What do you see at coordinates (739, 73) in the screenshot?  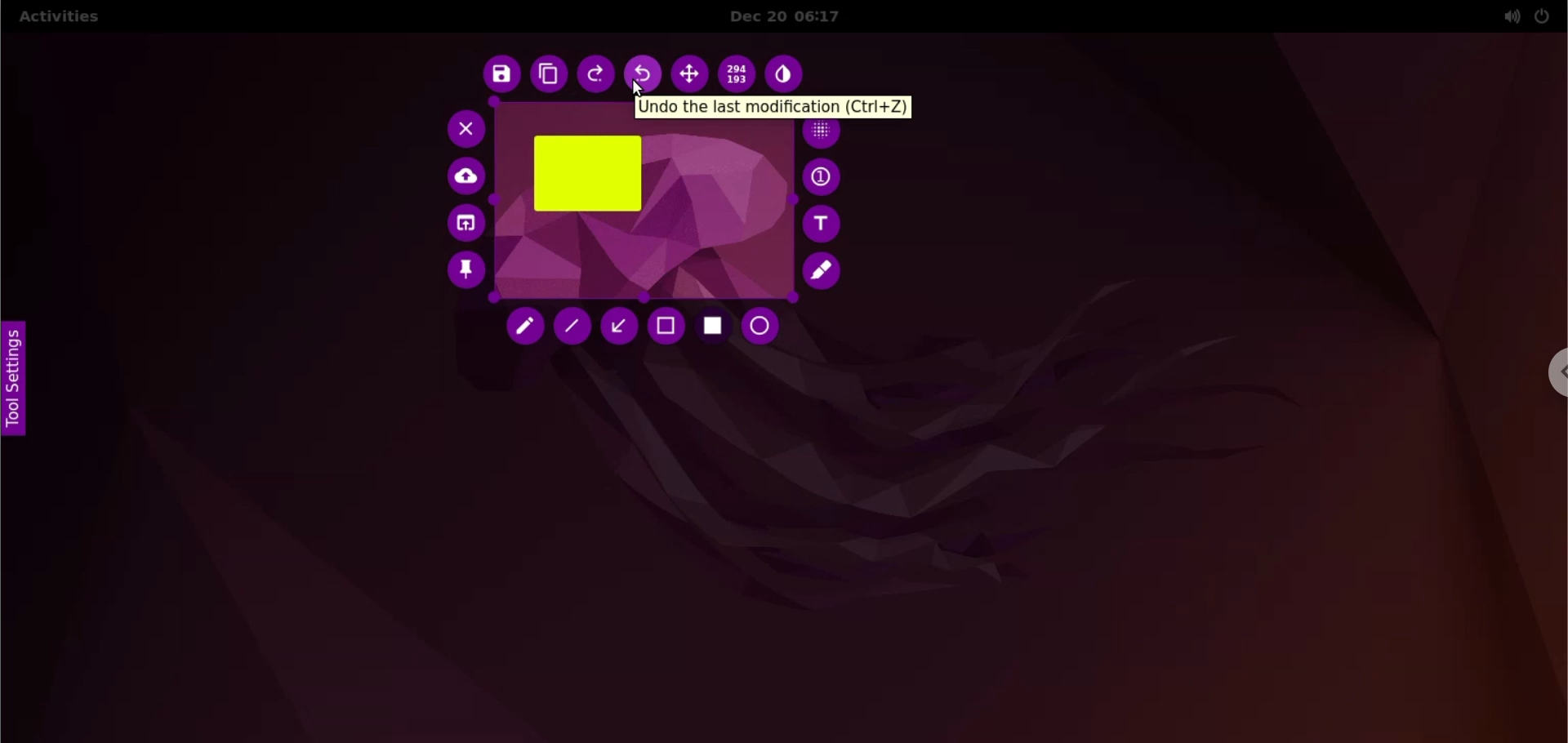 I see `x and y coordinate value` at bounding box center [739, 73].